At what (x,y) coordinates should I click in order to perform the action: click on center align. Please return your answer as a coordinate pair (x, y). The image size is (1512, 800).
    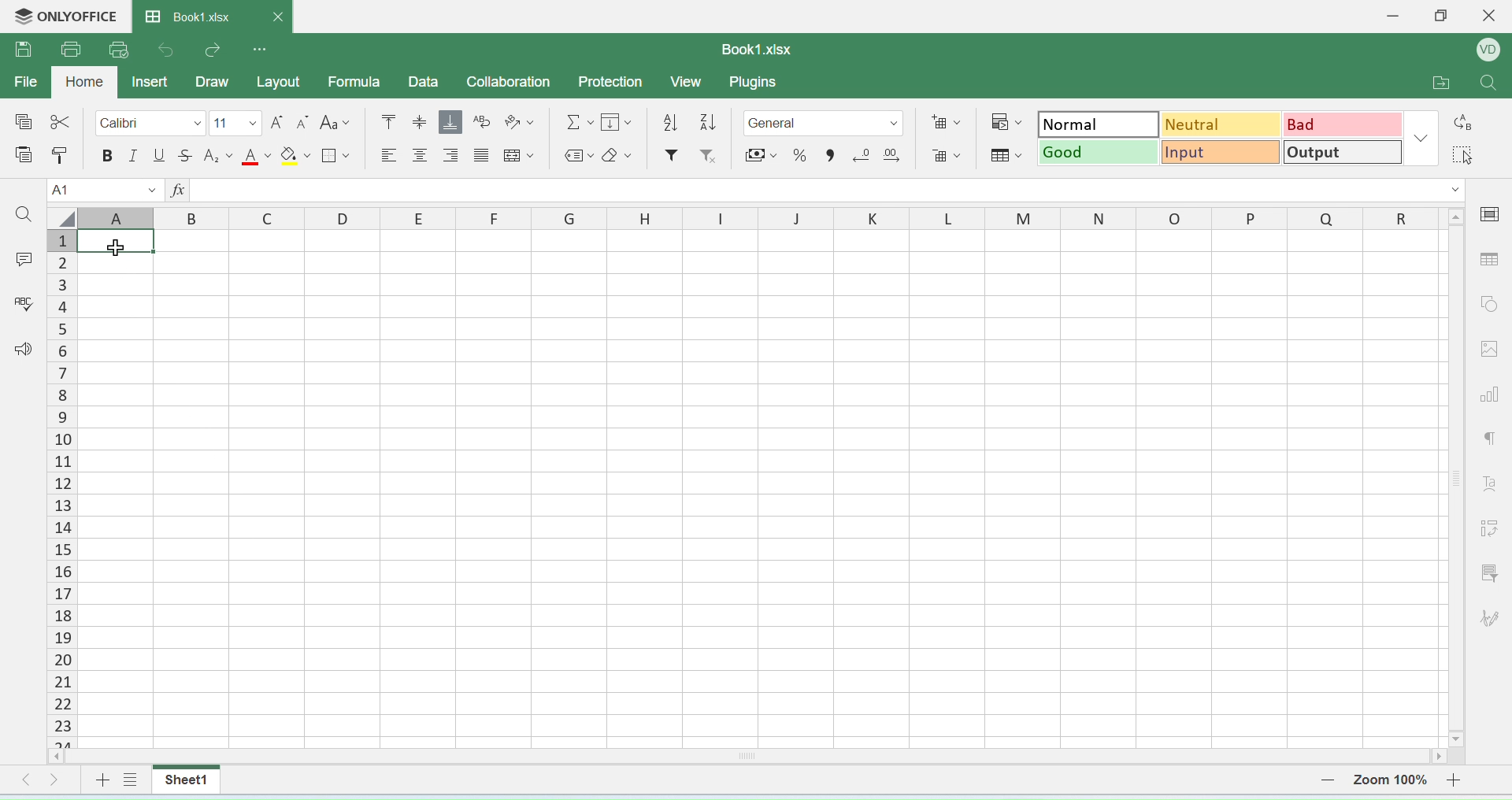
    Looking at the image, I should click on (482, 157).